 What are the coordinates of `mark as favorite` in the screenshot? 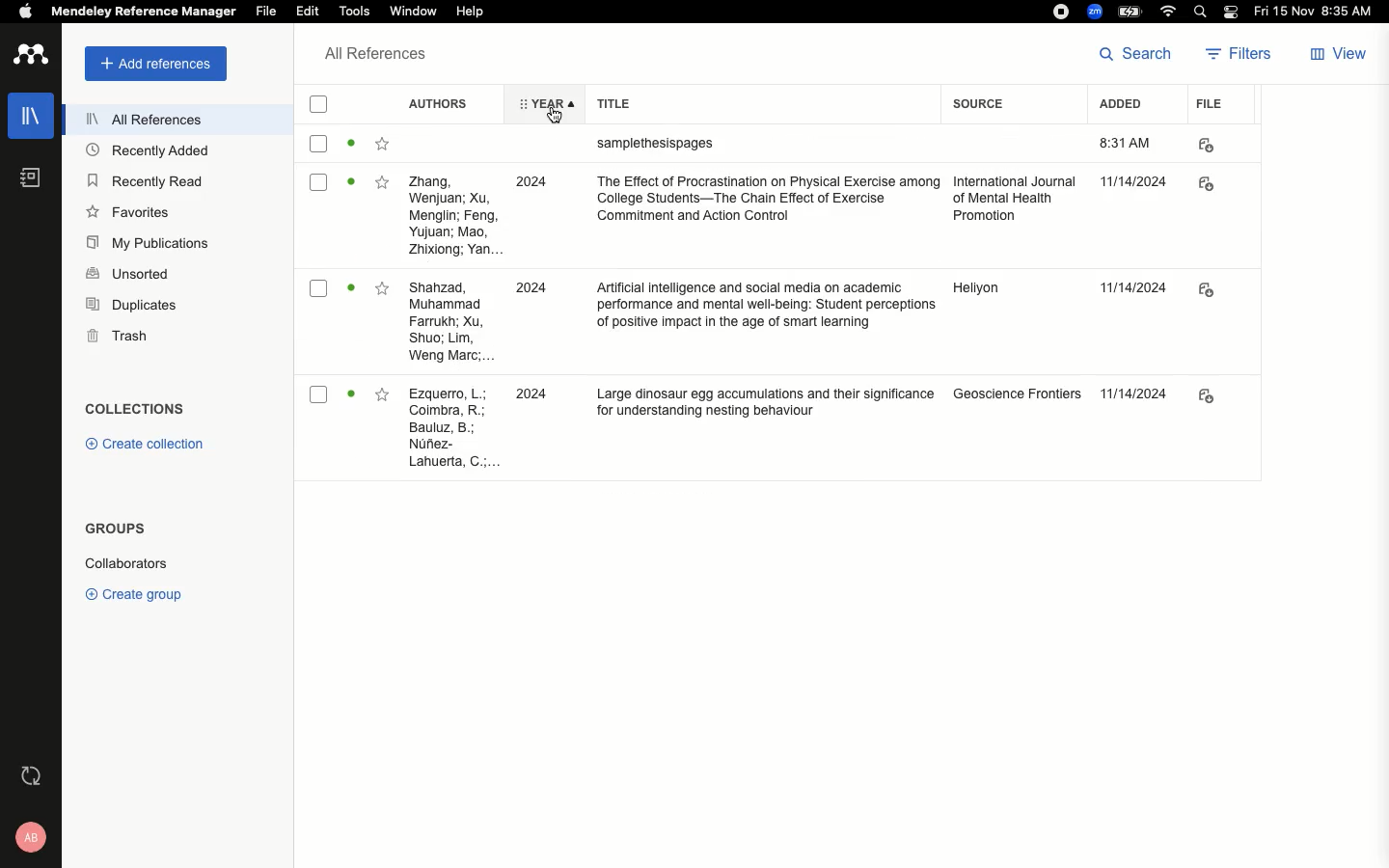 It's located at (382, 288).